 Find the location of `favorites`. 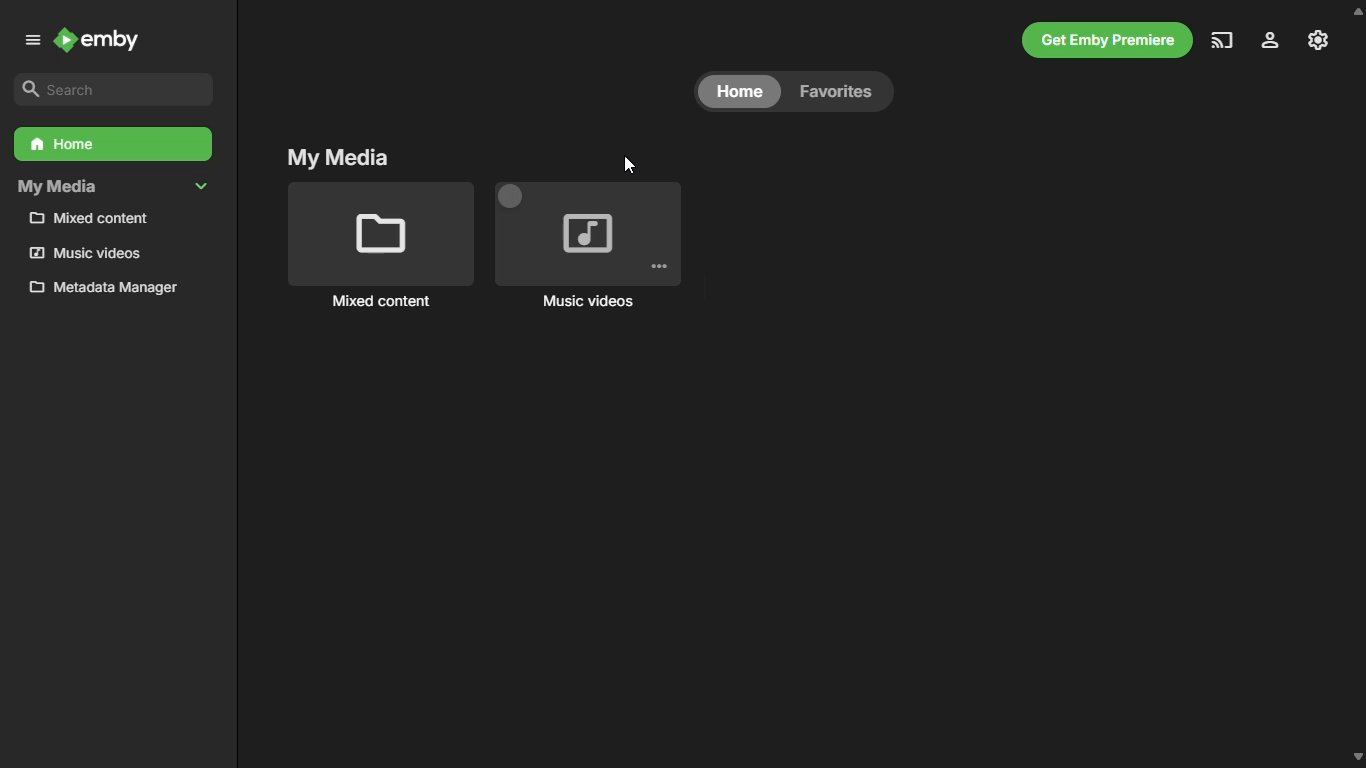

favorites is located at coordinates (835, 91).